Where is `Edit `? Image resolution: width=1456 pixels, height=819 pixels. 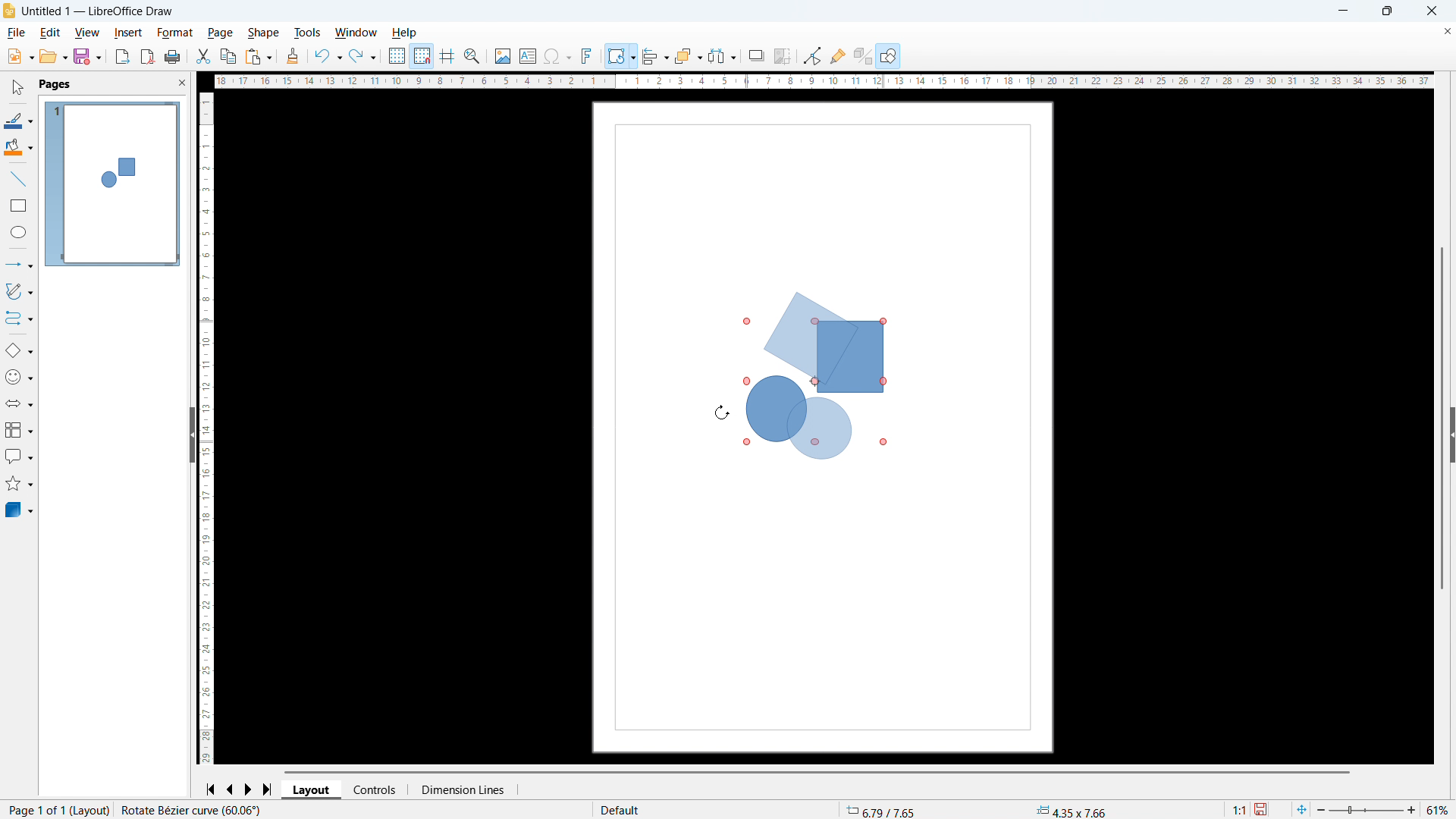 Edit  is located at coordinates (52, 33).